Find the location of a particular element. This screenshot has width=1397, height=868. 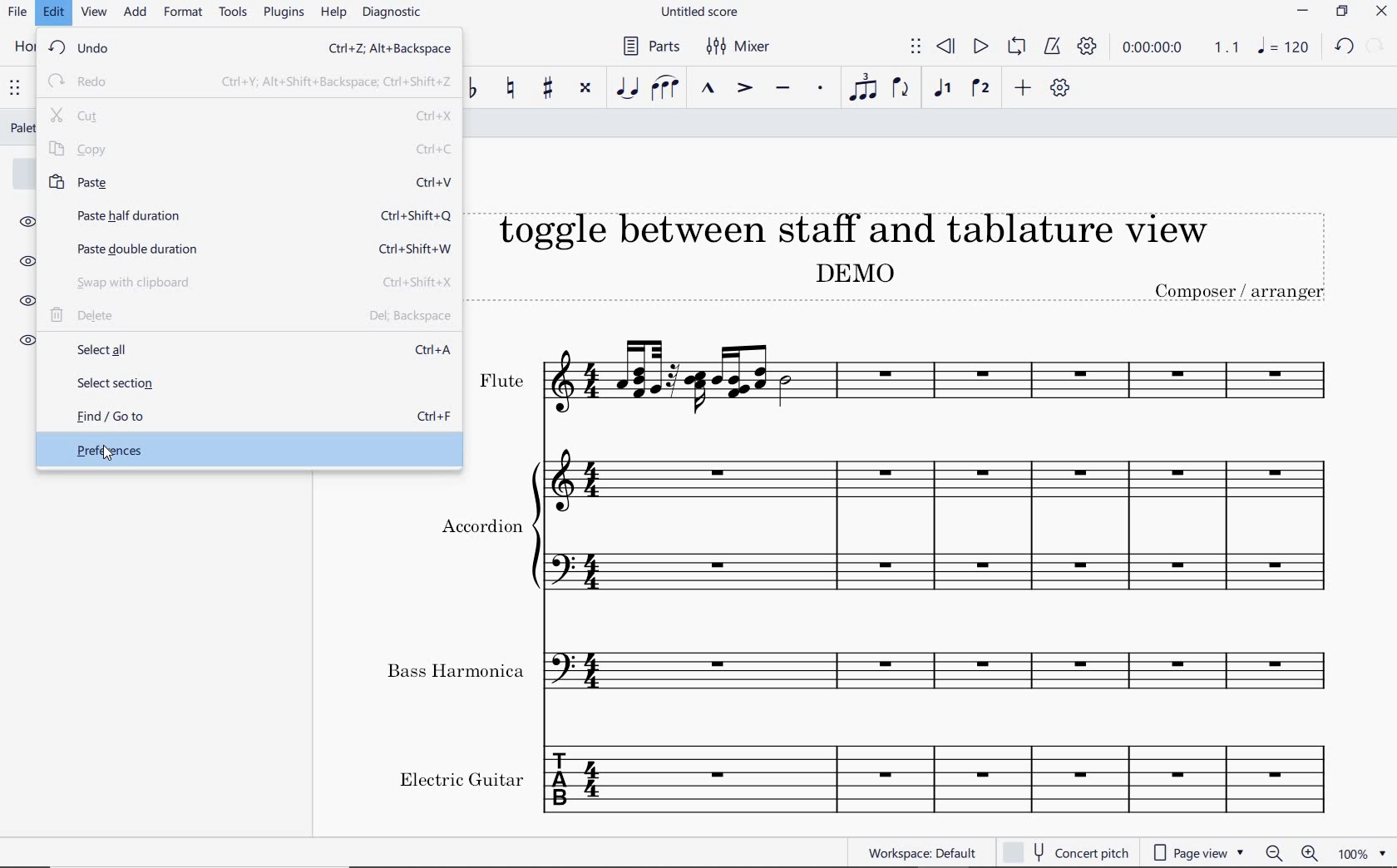

zoom out or zoom in is located at coordinates (1291, 853).